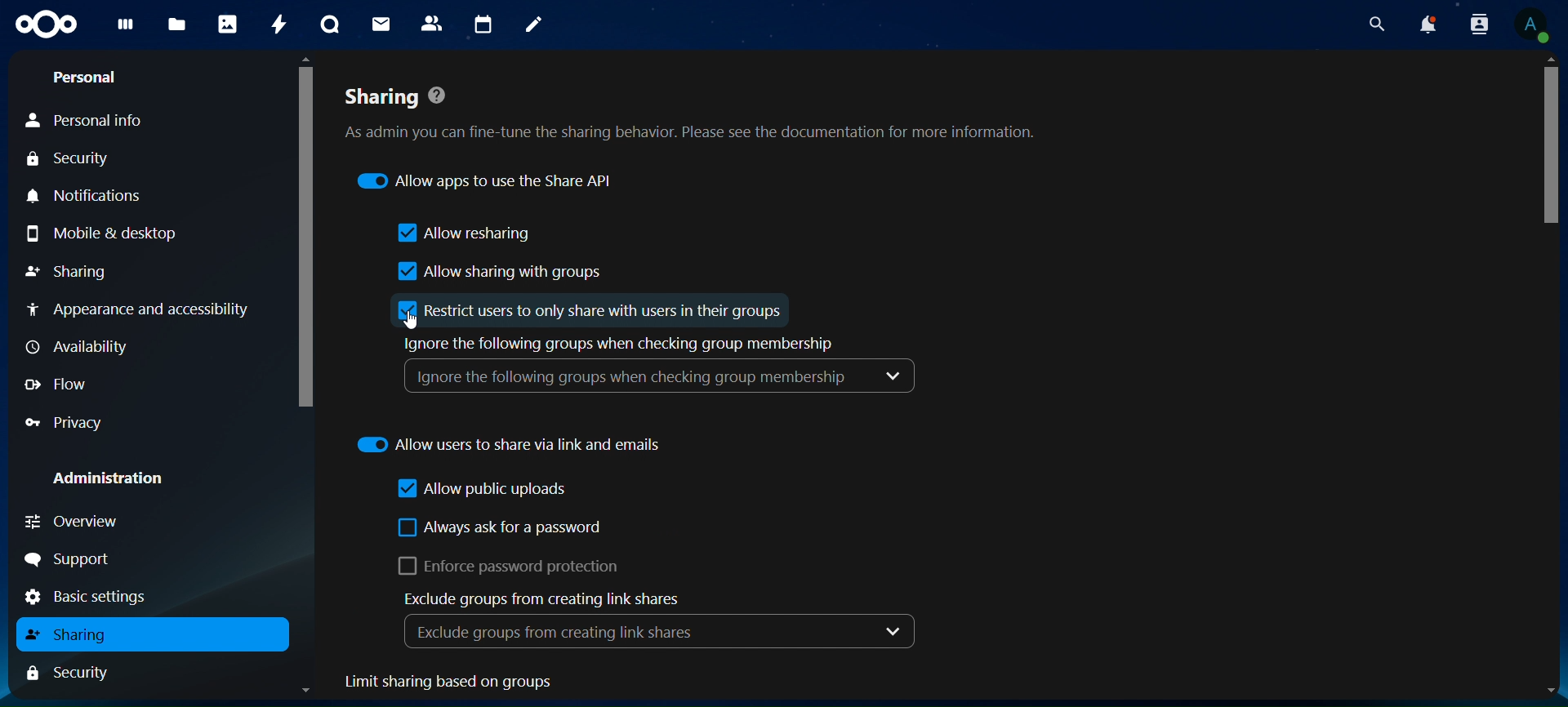 Image resolution: width=1568 pixels, height=707 pixels. I want to click on activity, so click(281, 25).